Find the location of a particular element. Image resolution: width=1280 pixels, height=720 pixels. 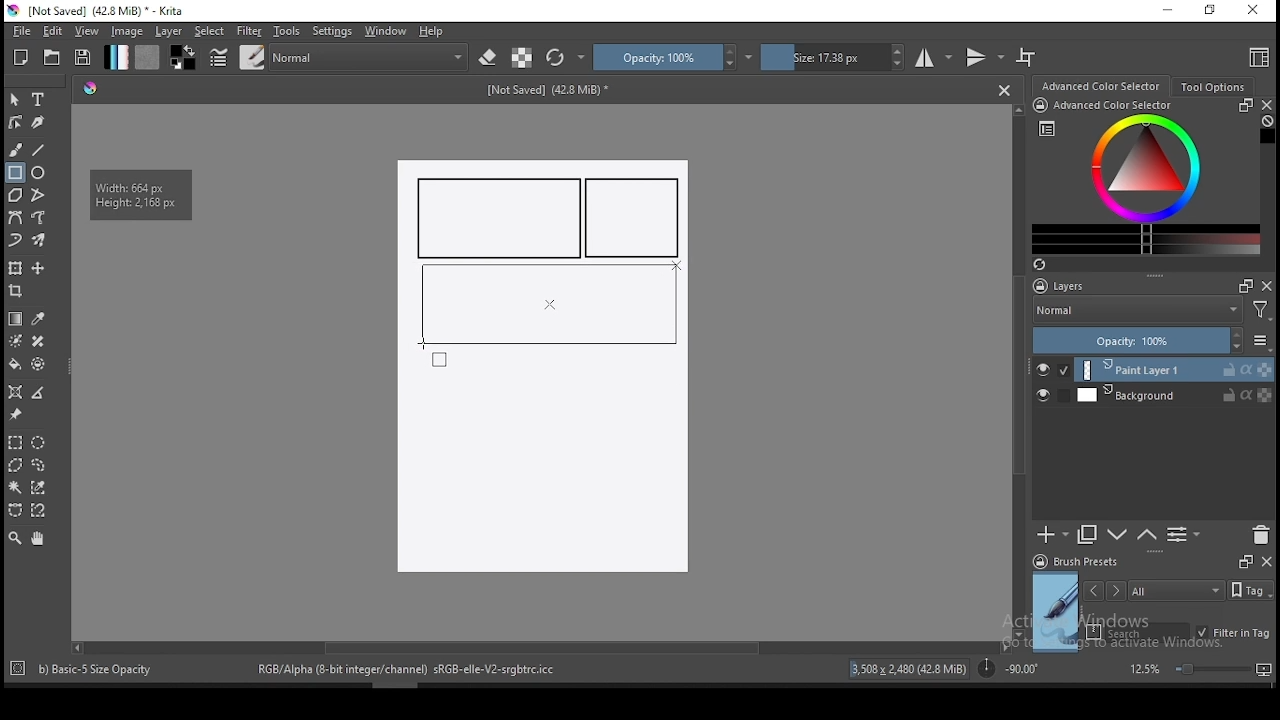

select is located at coordinates (210, 31).